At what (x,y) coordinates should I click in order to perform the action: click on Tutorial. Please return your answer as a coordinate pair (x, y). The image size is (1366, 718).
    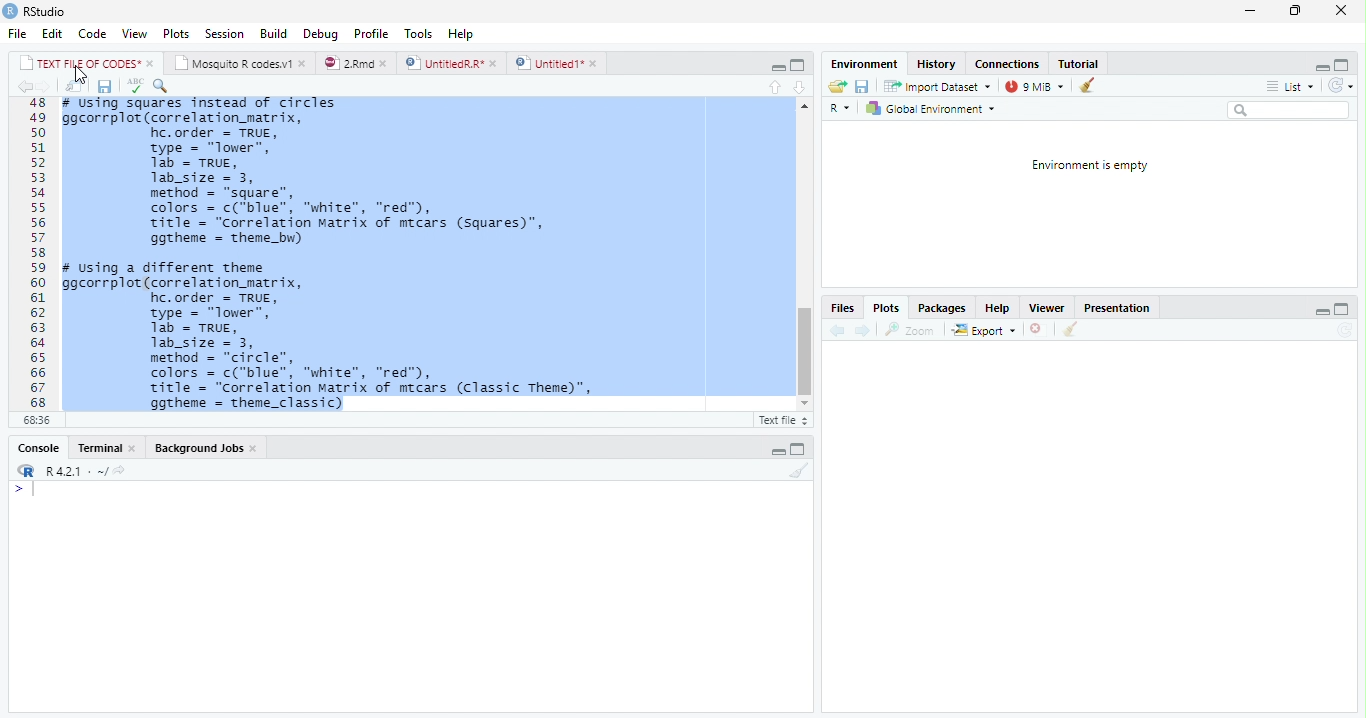
    Looking at the image, I should click on (1080, 63).